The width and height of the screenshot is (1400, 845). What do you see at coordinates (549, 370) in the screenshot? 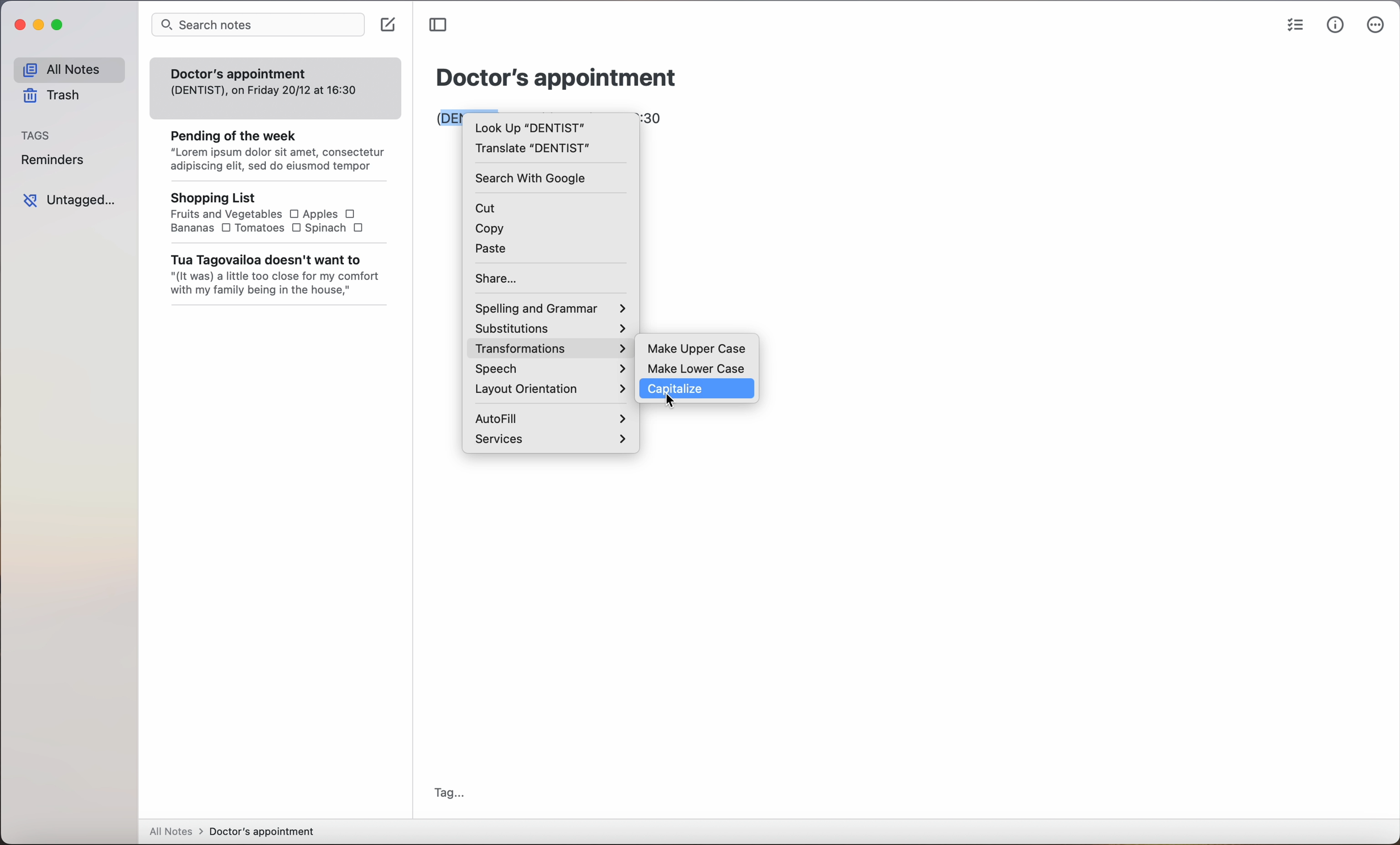
I see `speech` at bounding box center [549, 370].